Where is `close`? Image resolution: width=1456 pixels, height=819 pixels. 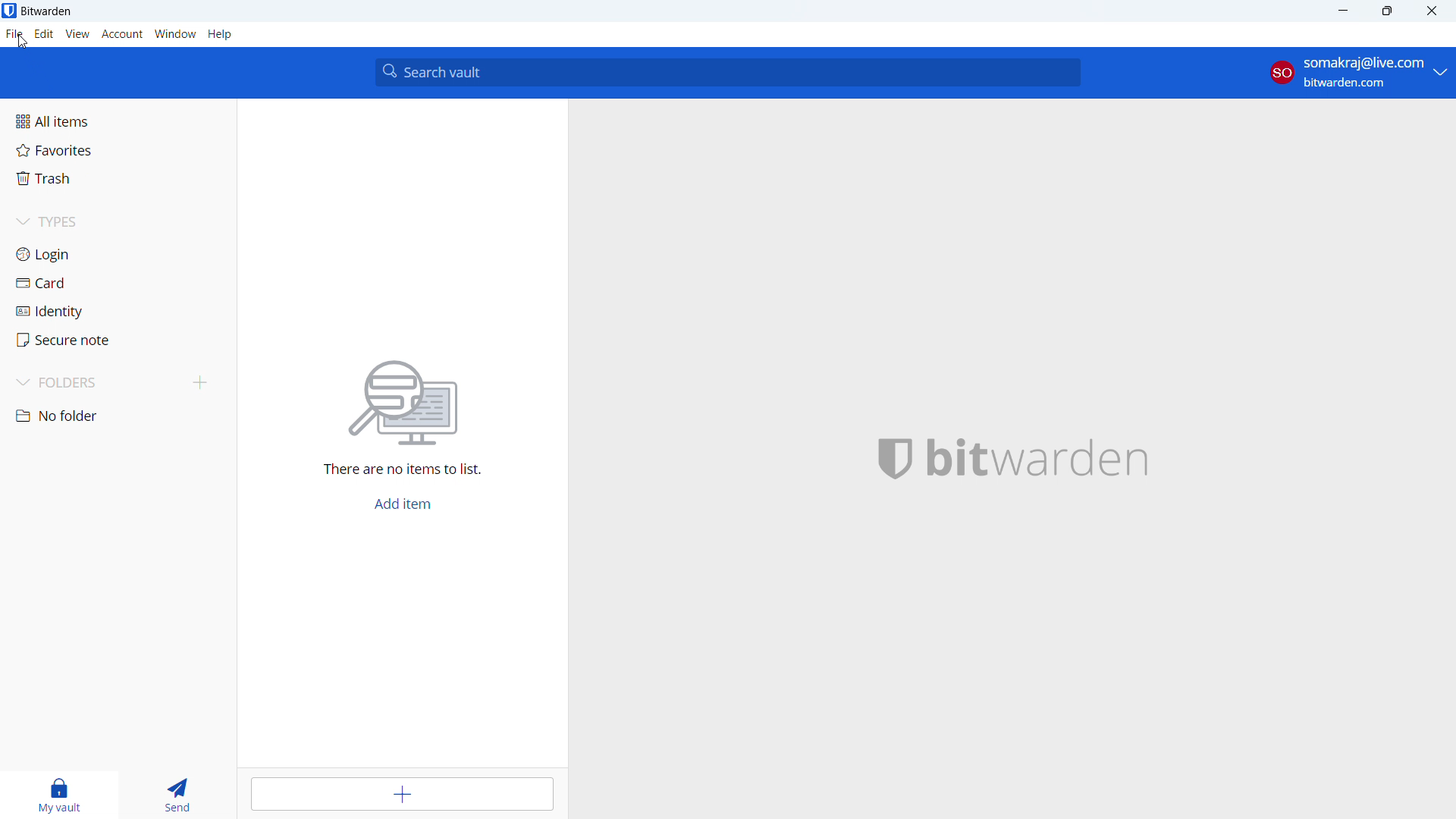
close is located at coordinates (1432, 11).